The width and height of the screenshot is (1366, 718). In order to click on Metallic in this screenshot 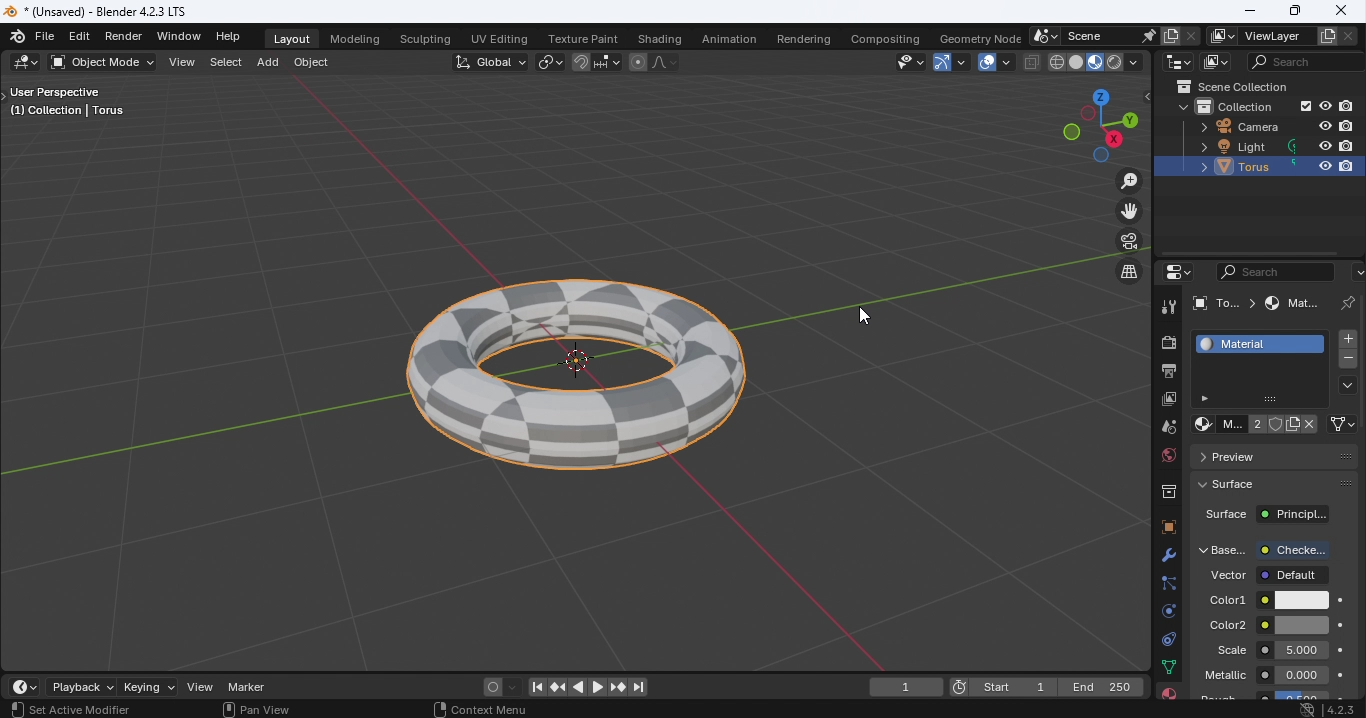, I will do `click(1264, 675)`.